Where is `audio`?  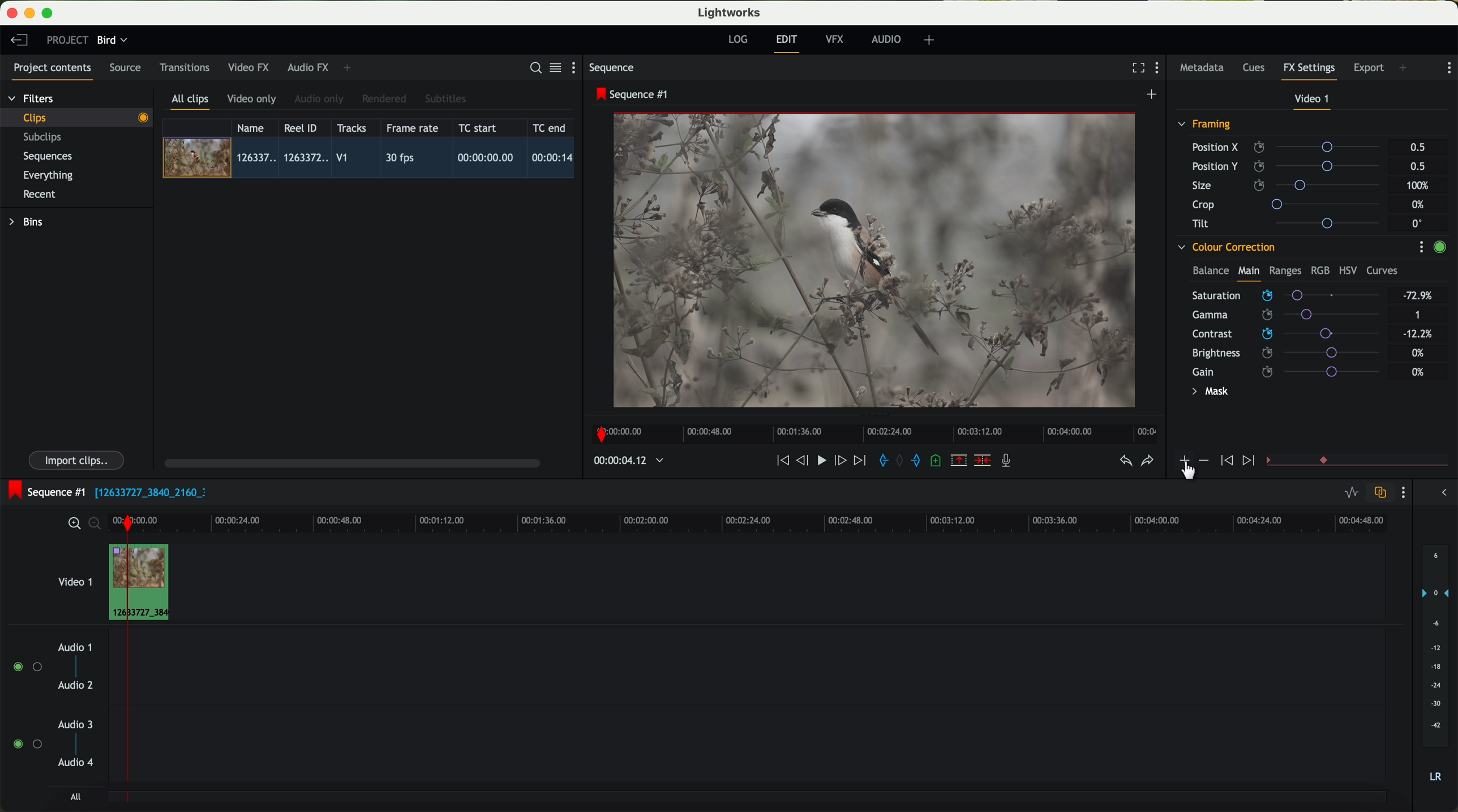 audio is located at coordinates (886, 39).